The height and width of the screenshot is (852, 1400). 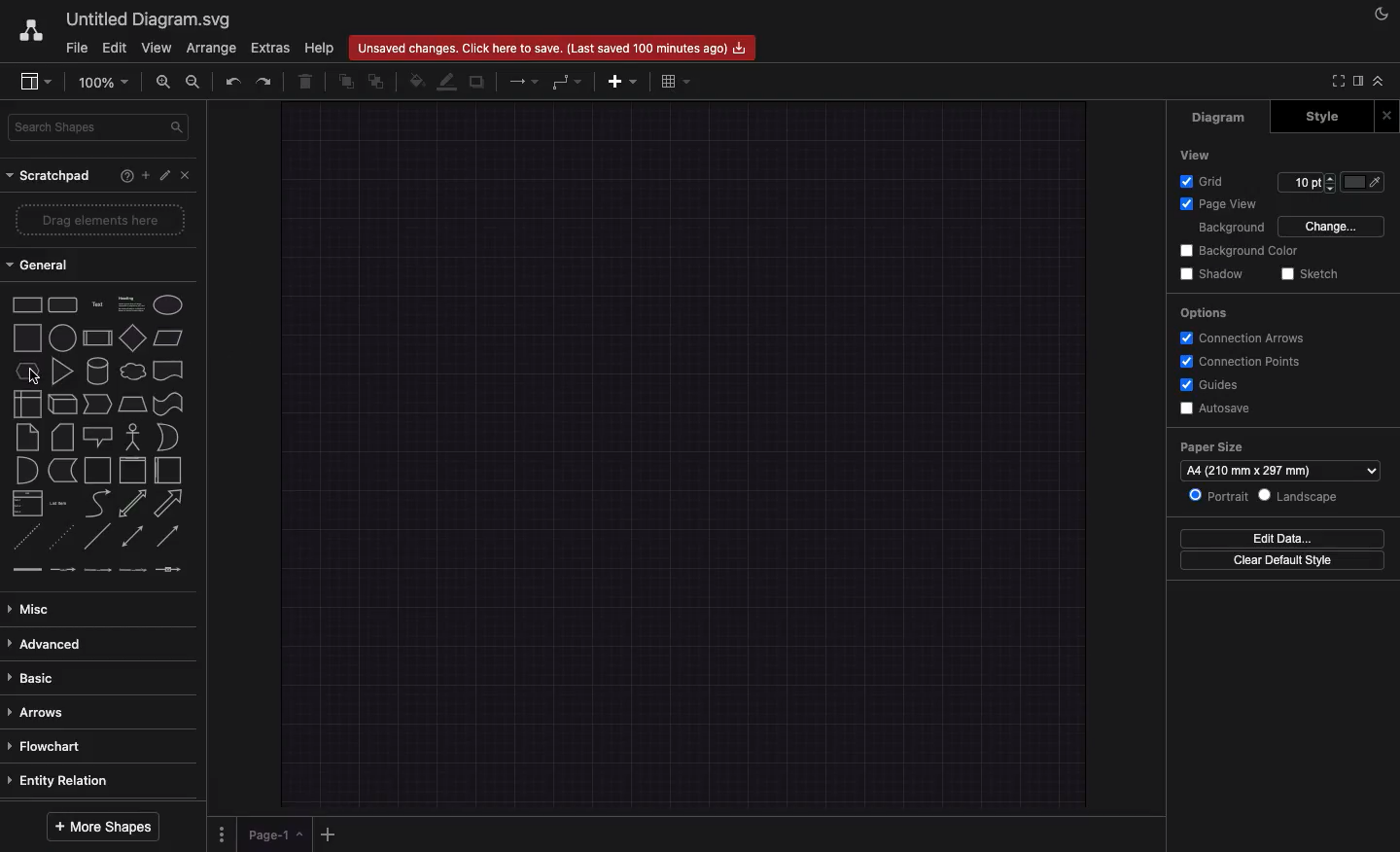 What do you see at coordinates (553, 47) in the screenshot?
I see `Unsaved changes. Click here to save.` at bounding box center [553, 47].